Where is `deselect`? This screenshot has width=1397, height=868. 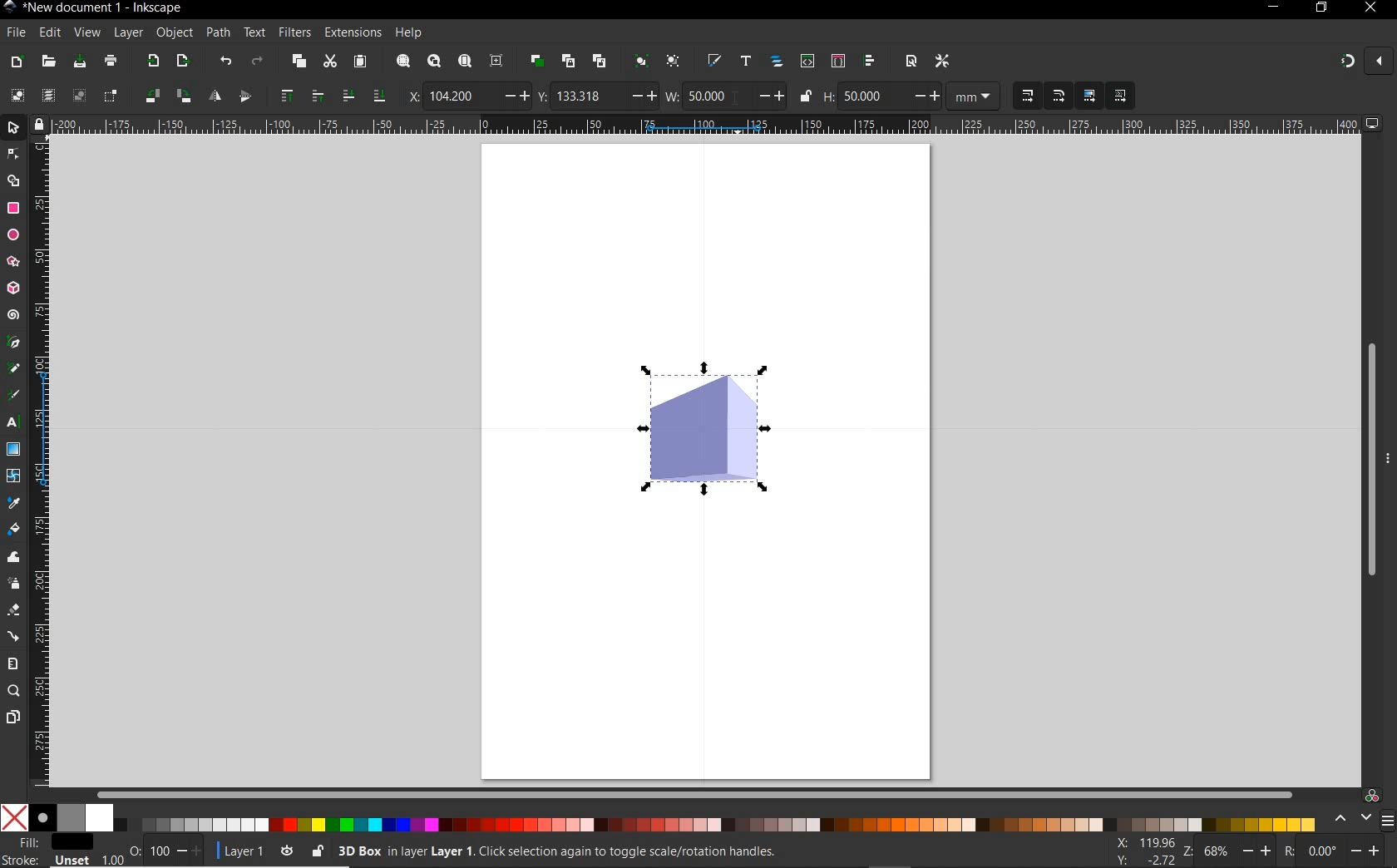
deselect is located at coordinates (78, 96).